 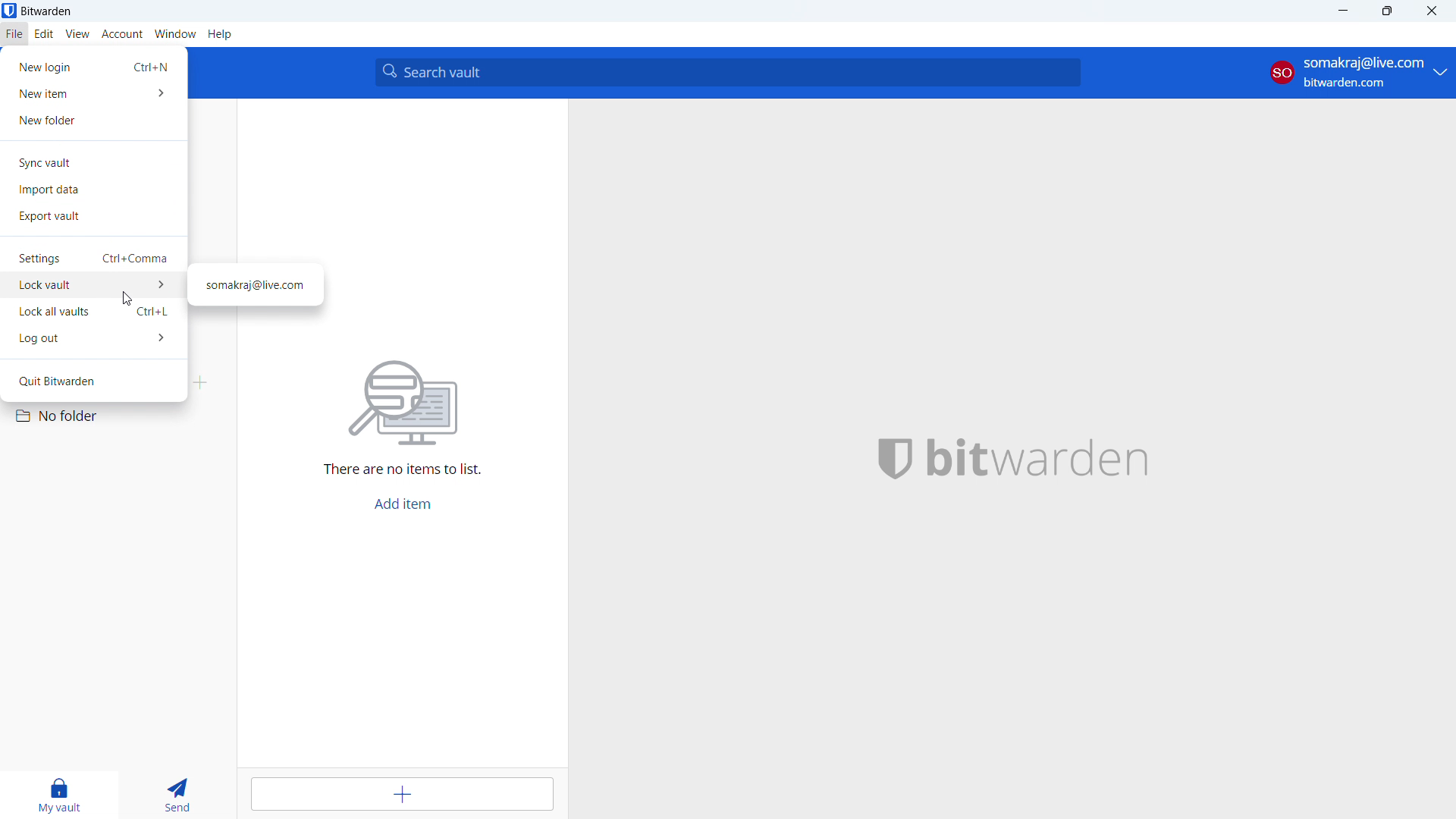 What do you see at coordinates (94, 163) in the screenshot?
I see `sync vault` at bounding box center [94, 163].